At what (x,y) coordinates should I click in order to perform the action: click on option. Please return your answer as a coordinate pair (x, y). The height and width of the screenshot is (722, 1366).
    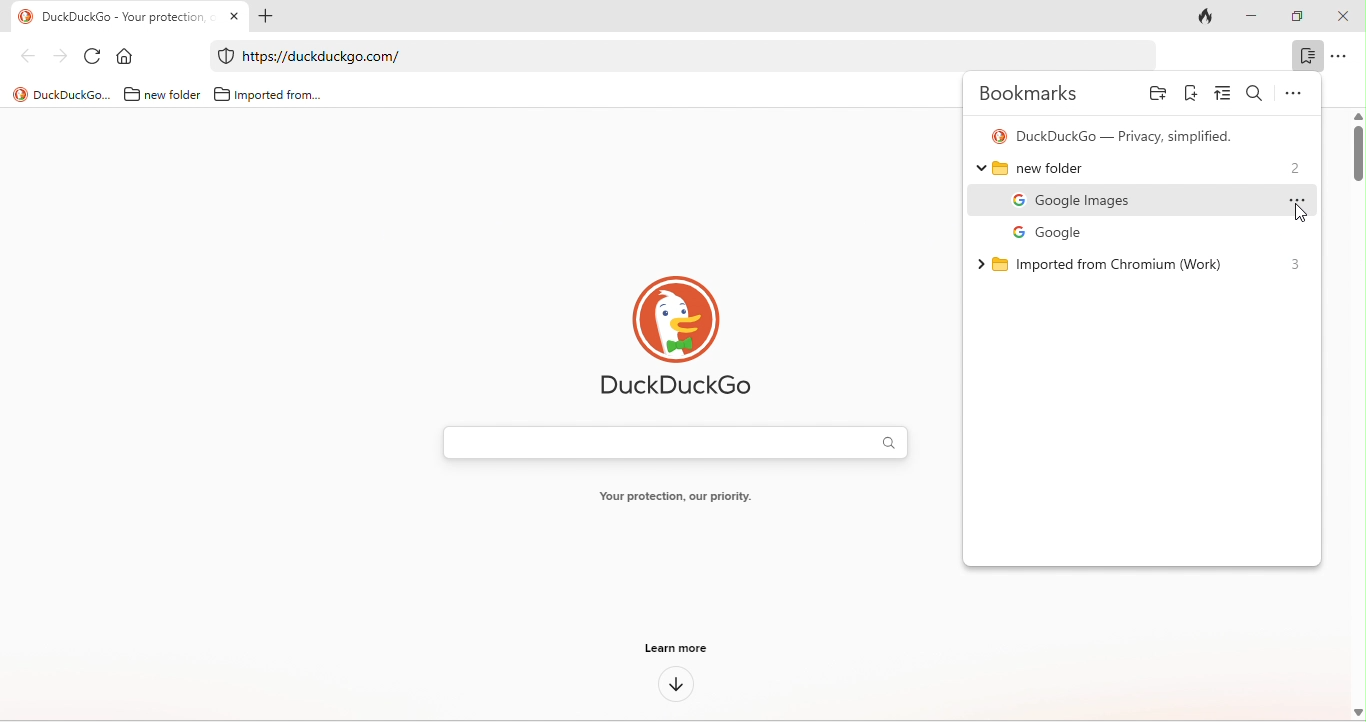
    Looking at the image, I should click on (1340, 57).